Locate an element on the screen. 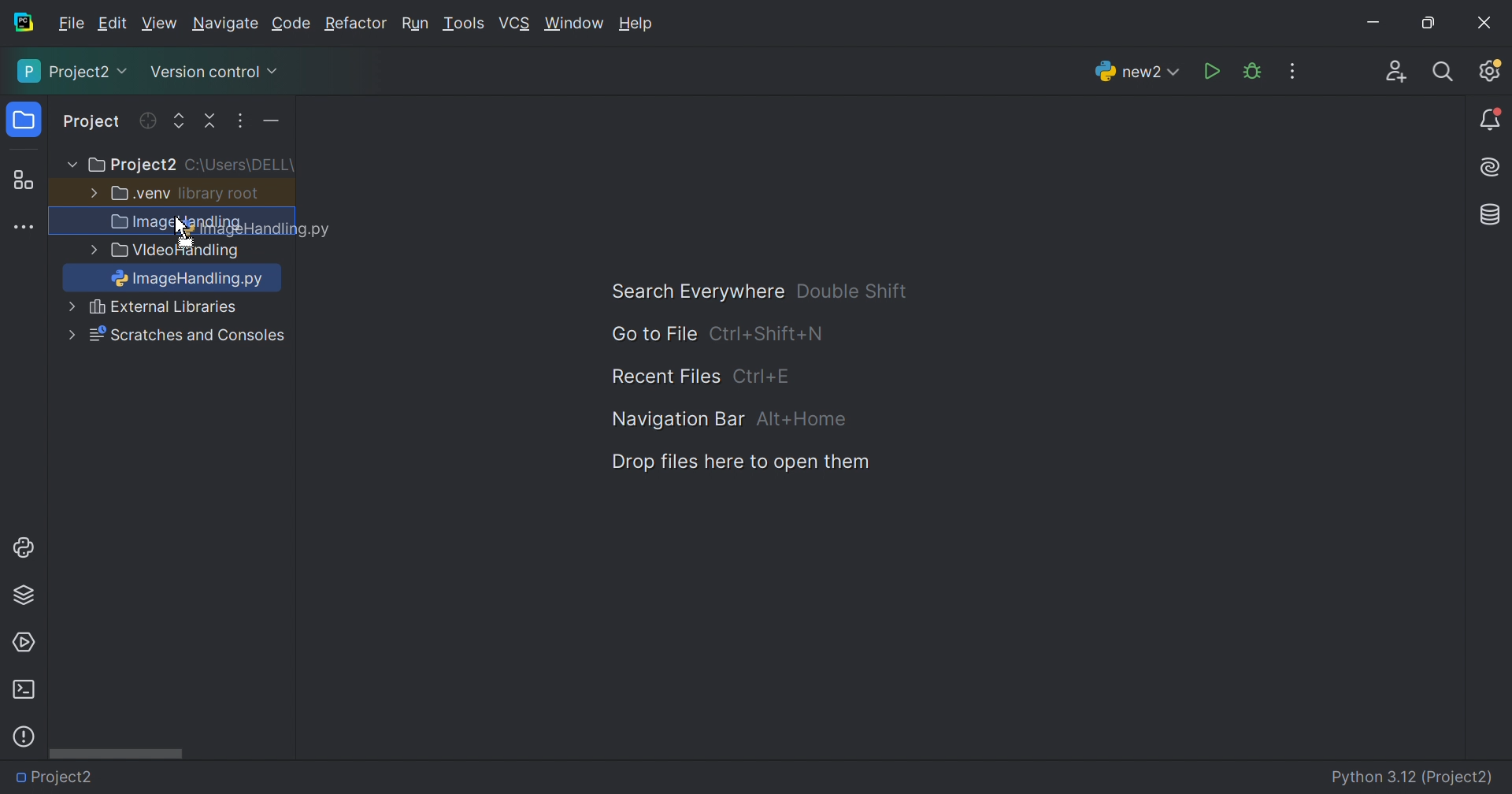  Project2 is located at coordinates (131, 165).